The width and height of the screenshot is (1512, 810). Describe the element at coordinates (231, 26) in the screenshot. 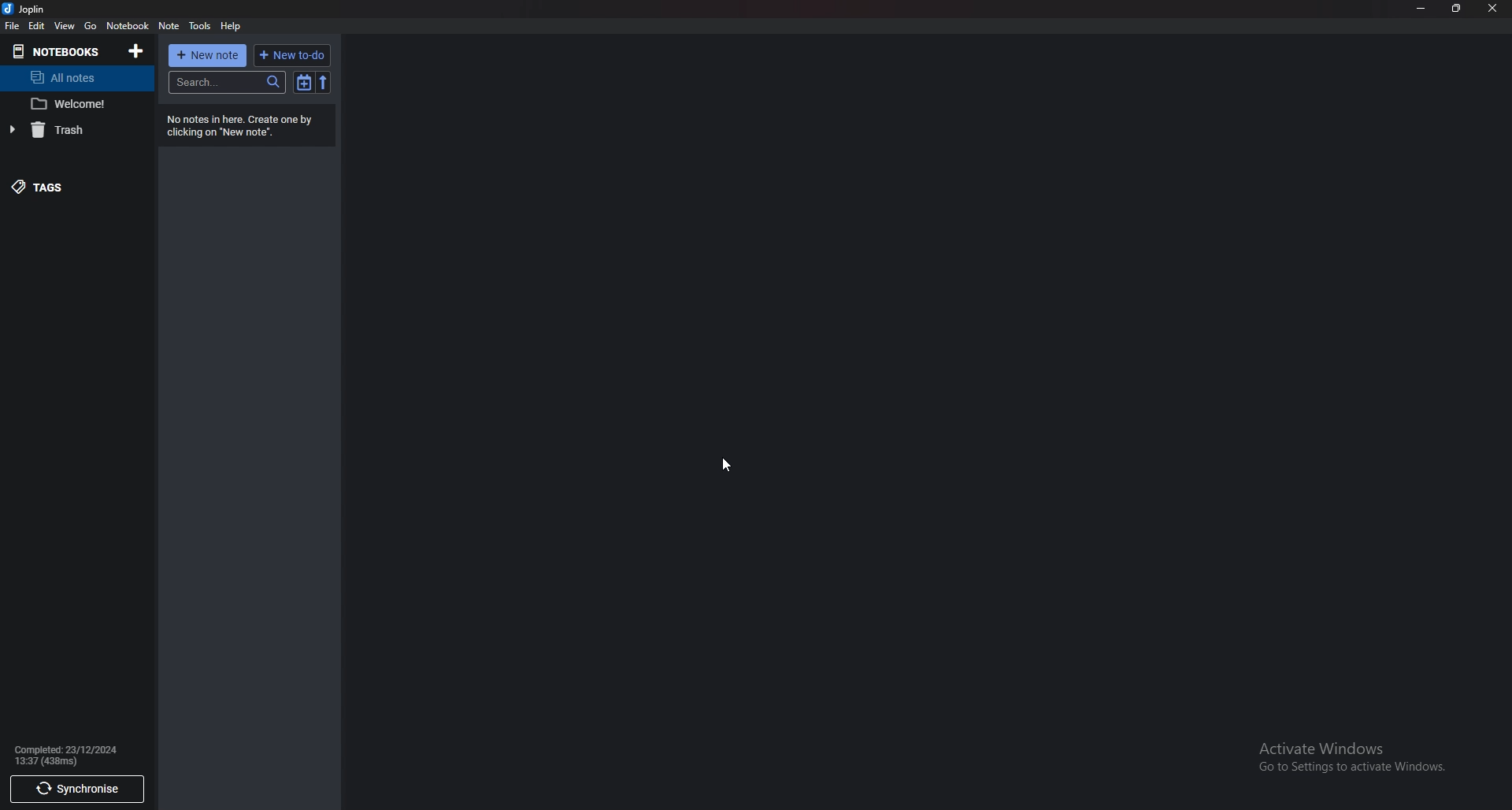

I see `help` at that location.